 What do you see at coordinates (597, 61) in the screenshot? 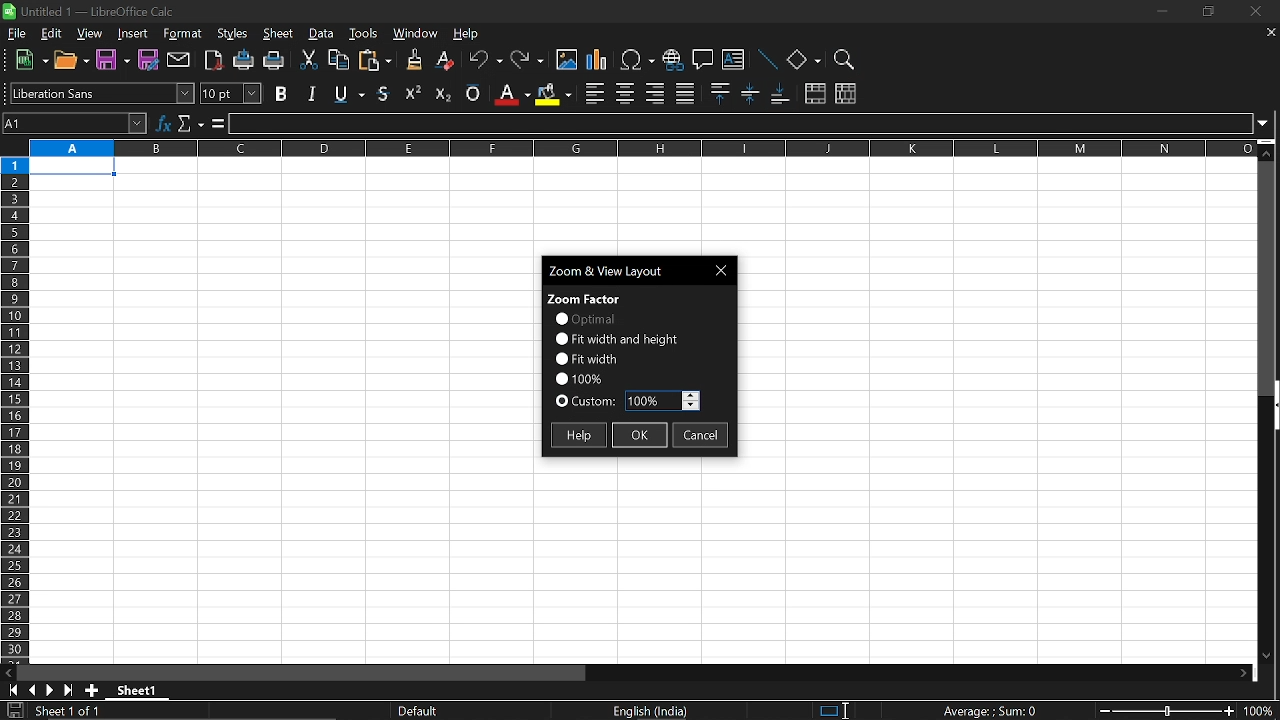
I see `insert chart` at bounding box center [597, 61].